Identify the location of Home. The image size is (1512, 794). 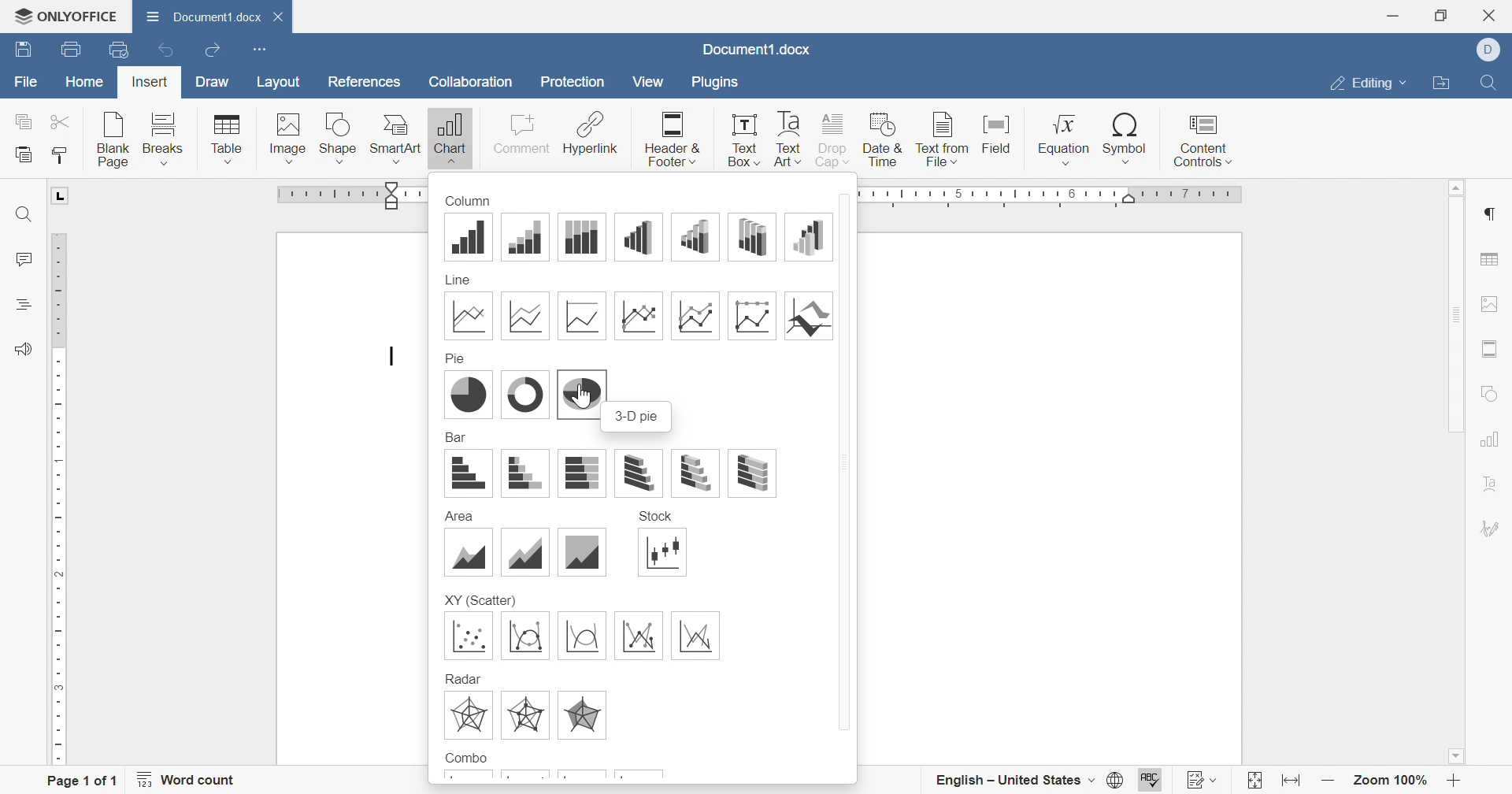
(83, 83).